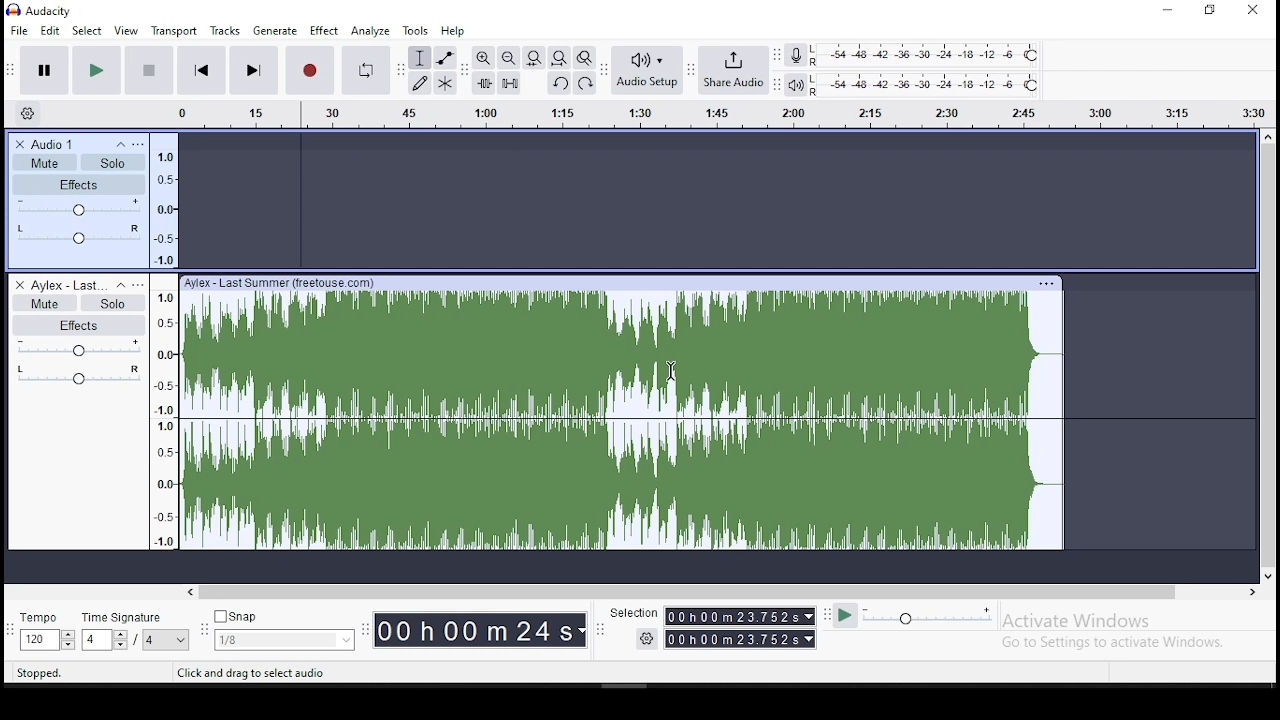  What do you see at coordinates (416, 31) in the screenshot?
I see `tools` at bounding box center [416, 31].